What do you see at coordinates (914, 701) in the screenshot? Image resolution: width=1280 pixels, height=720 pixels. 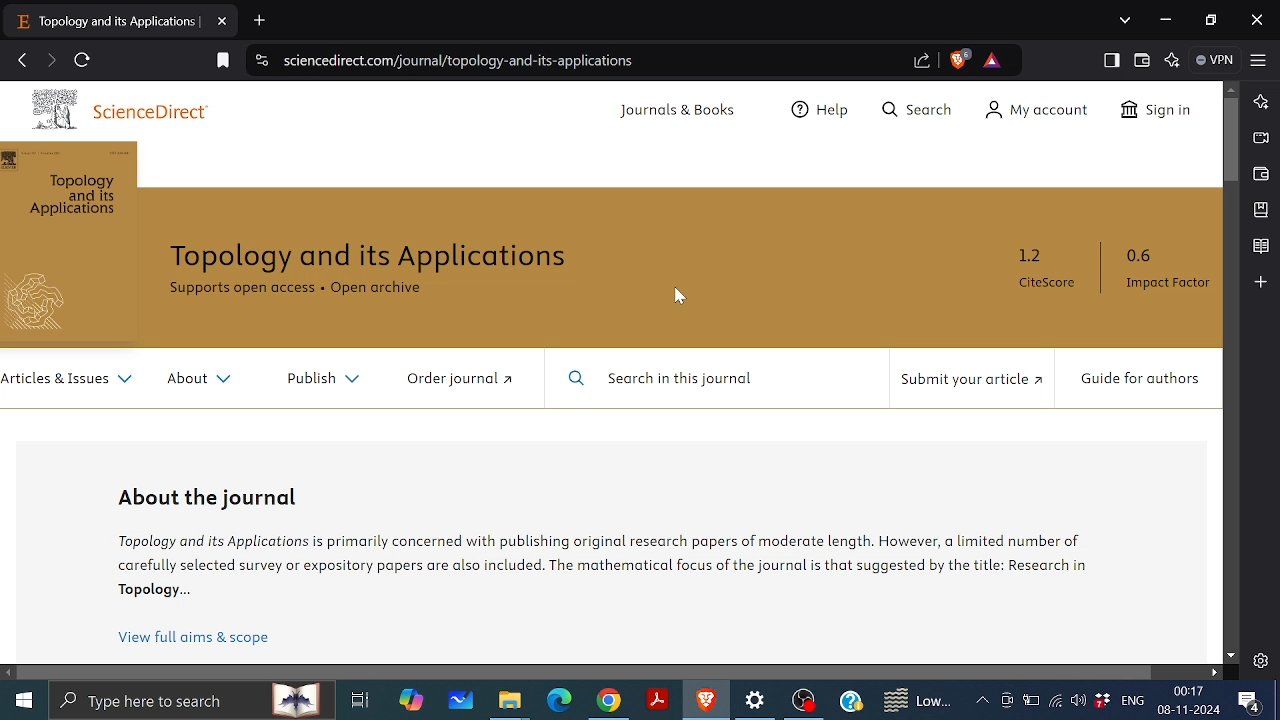 I see `Weather notifications` at bounding box center [914, 701].